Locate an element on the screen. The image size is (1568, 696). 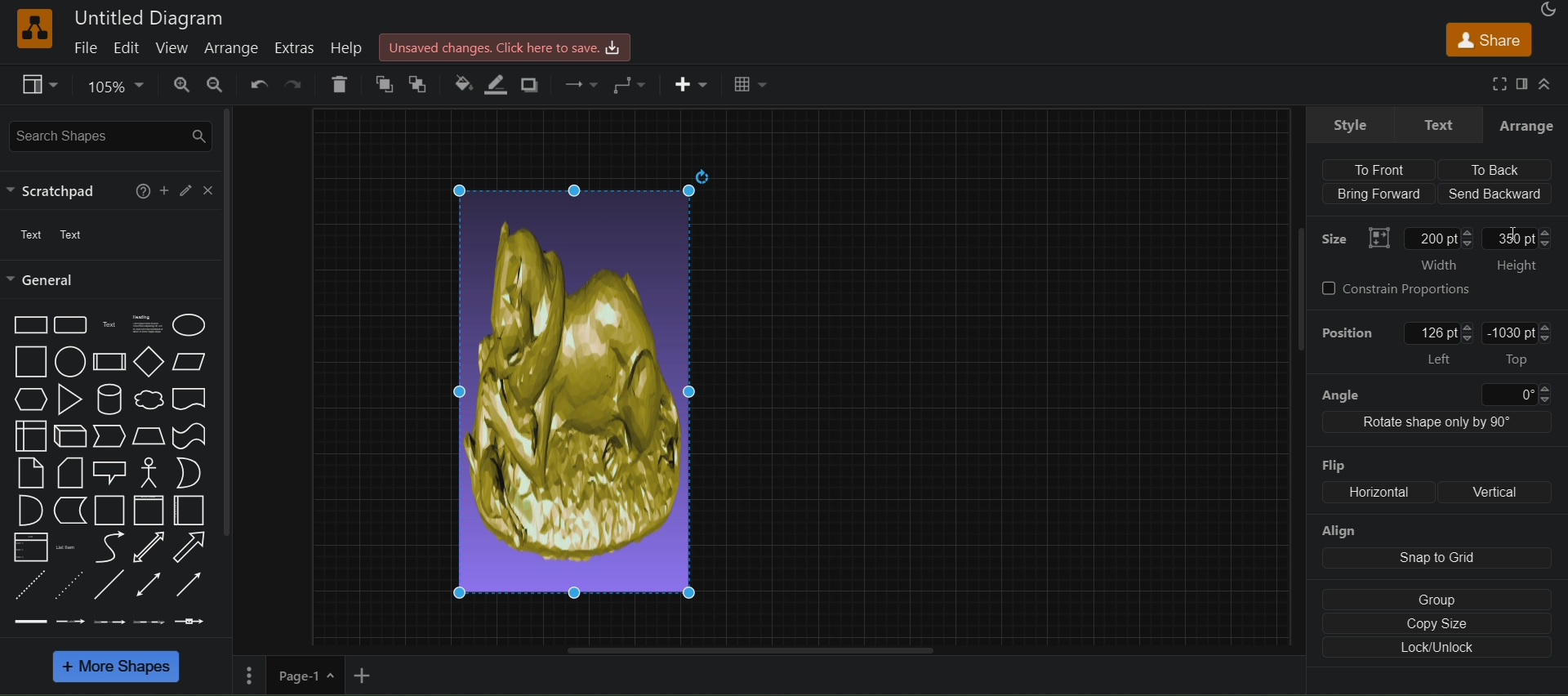
more shapes is located at coordinates (119, 668).